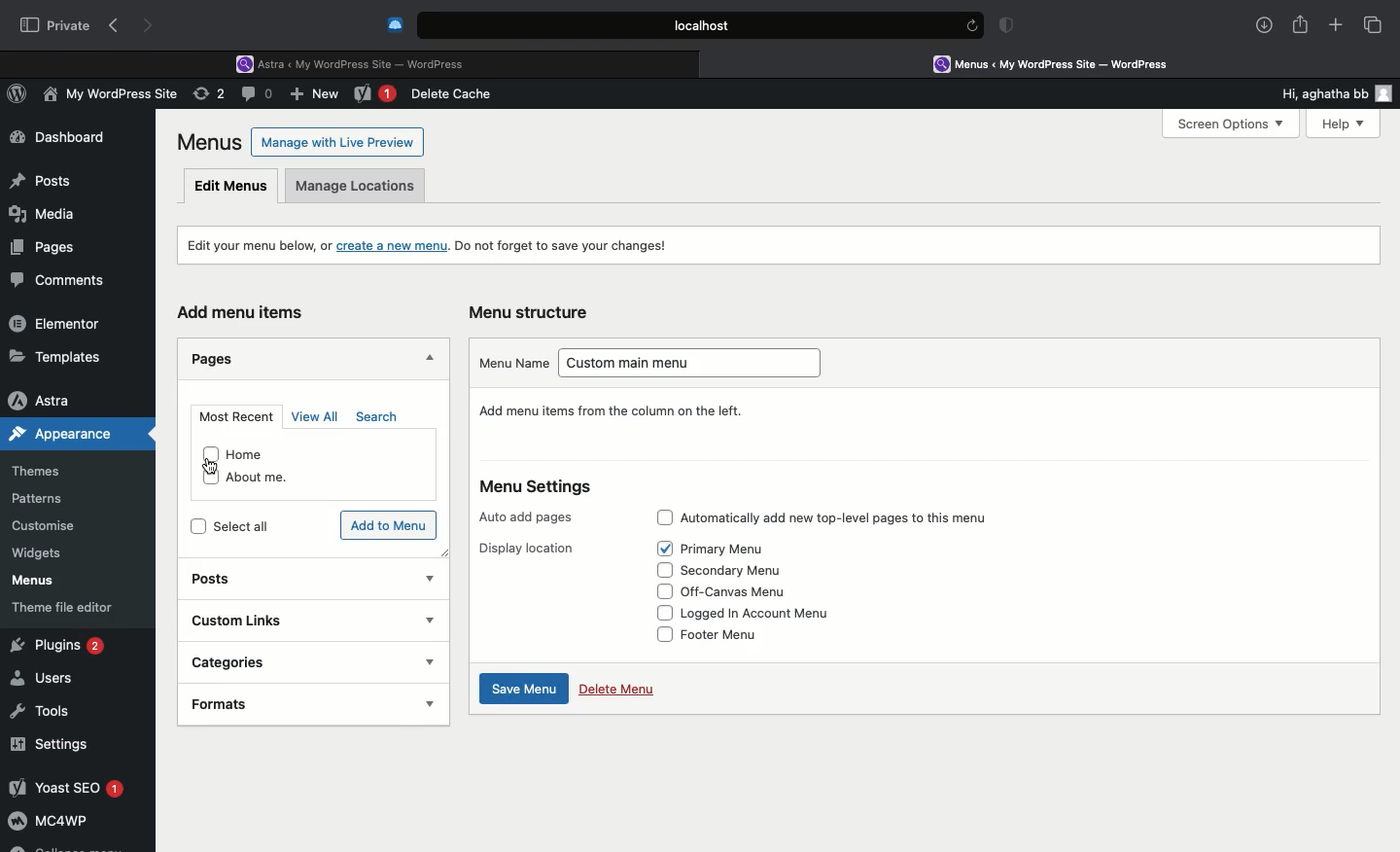  What do you see at coordinates (55, 24) in the screenshot?
I see `Private` at bounding box center [55, 24].